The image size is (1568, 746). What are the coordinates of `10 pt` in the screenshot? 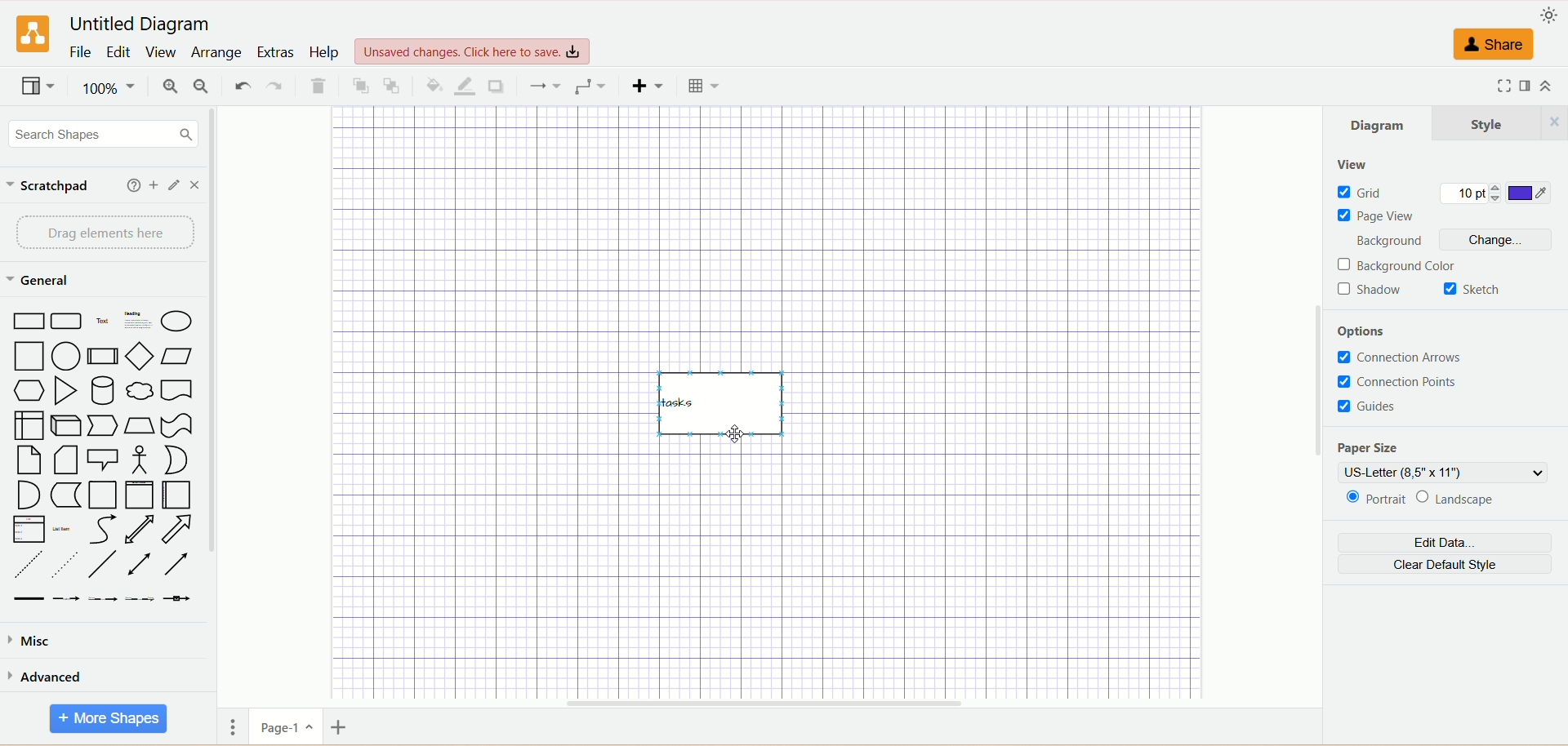 It's located at (1473, 193).